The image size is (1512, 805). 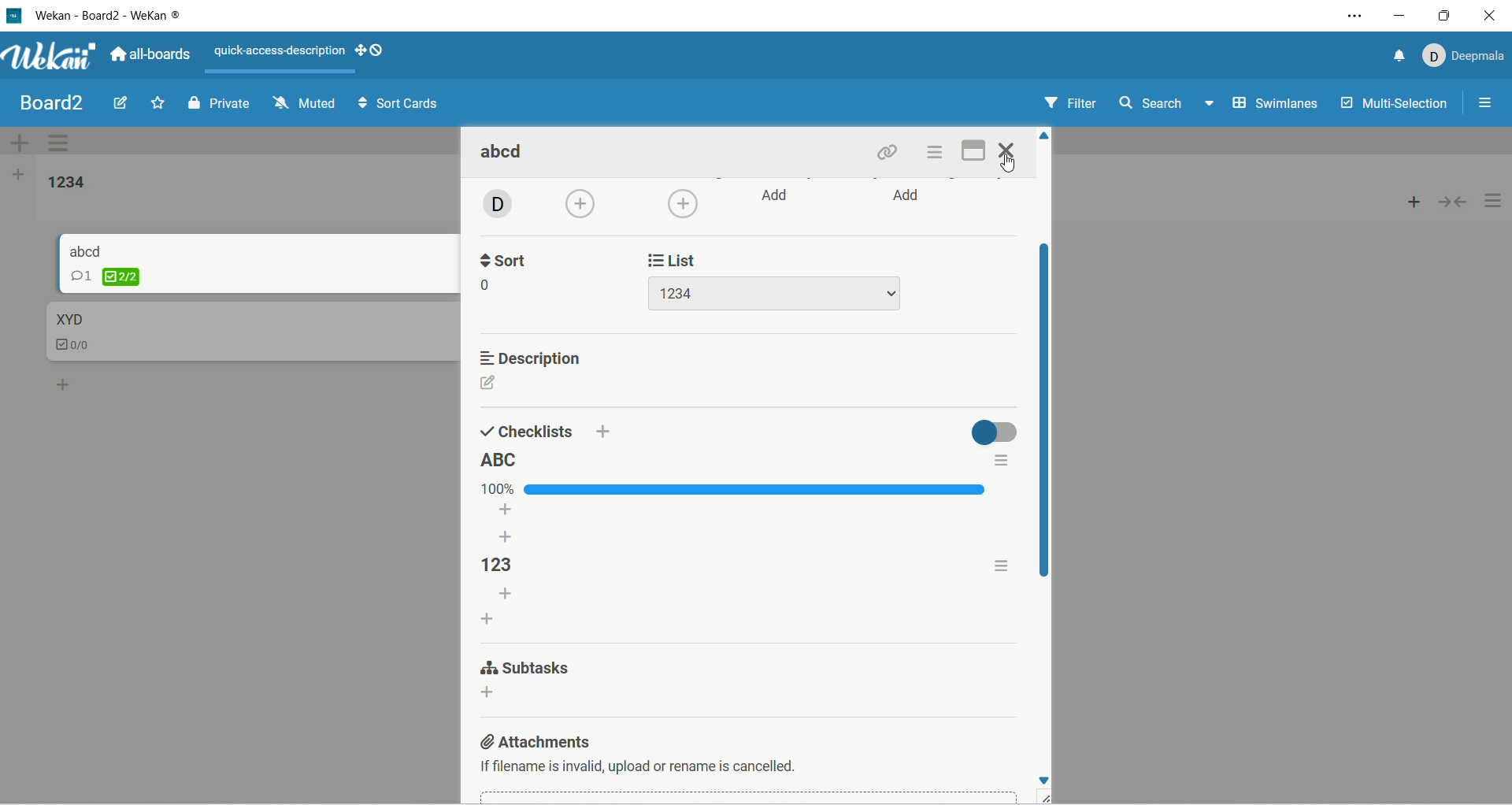 What do you see at coordinates (640, 767) in the screenshot?
I see `attachments` at bounding box center [640, 767].